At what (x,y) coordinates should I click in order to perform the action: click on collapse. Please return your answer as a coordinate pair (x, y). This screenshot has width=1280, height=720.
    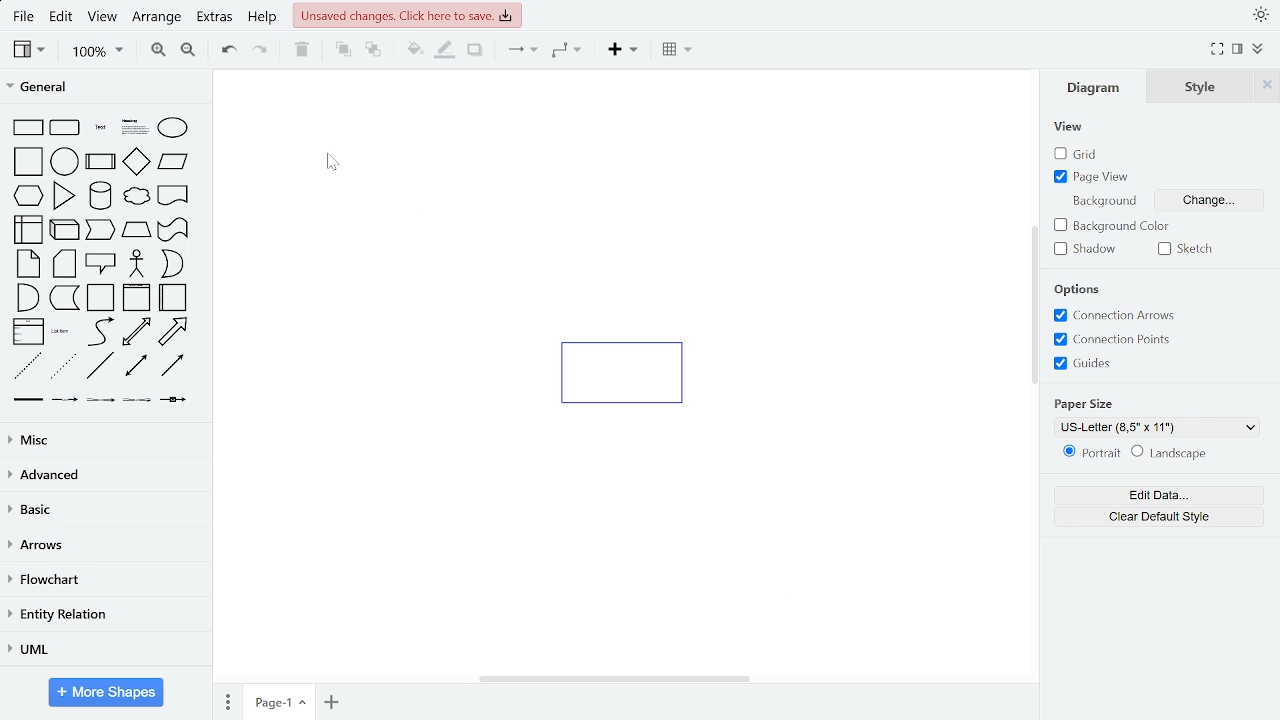
    Looking at the image, I should click on (1238, 51).